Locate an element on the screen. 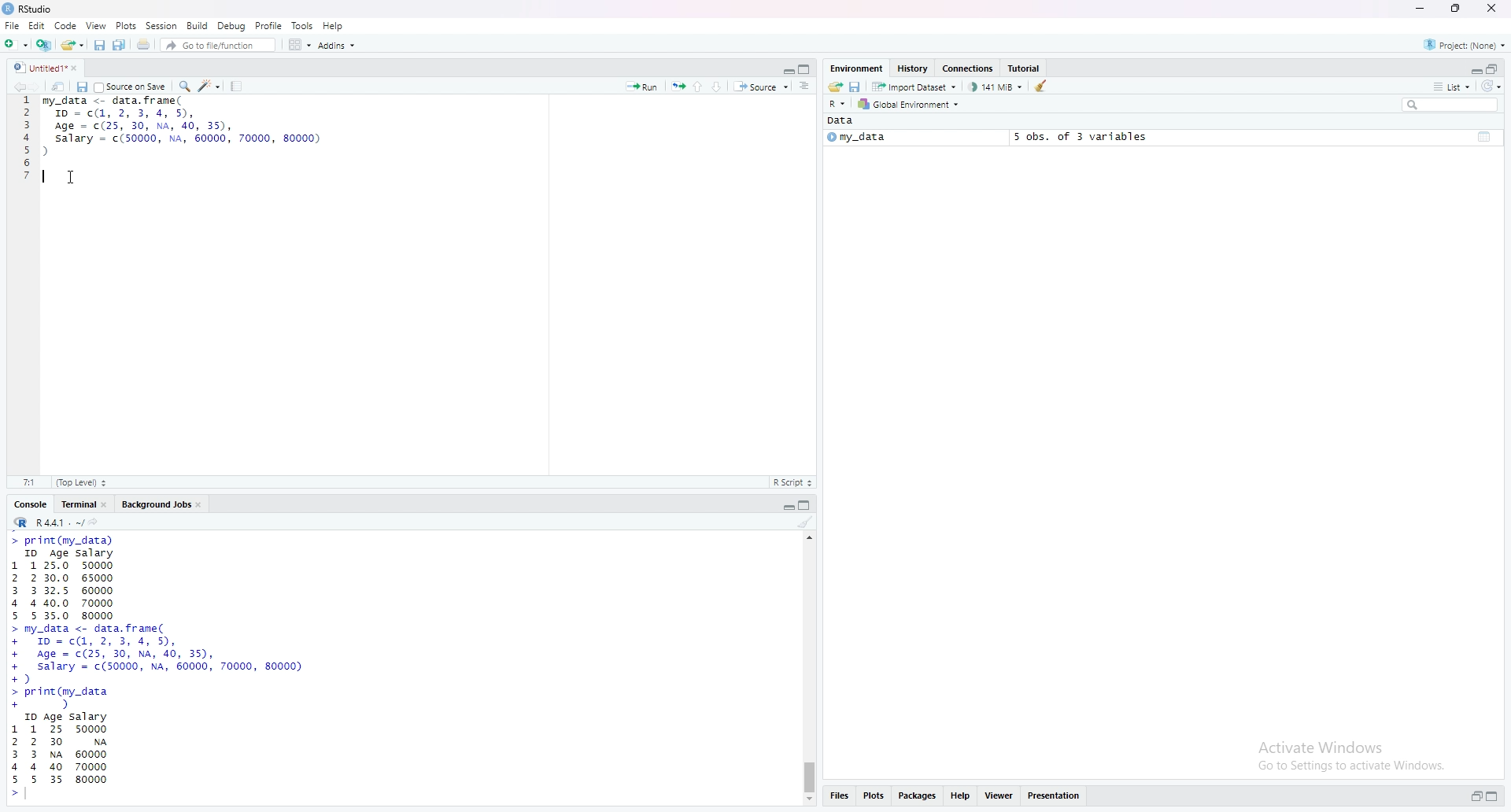 Image resolution: width=1511 pixels, height=812 pixels. collapse is located at coordinates (1496, 797).